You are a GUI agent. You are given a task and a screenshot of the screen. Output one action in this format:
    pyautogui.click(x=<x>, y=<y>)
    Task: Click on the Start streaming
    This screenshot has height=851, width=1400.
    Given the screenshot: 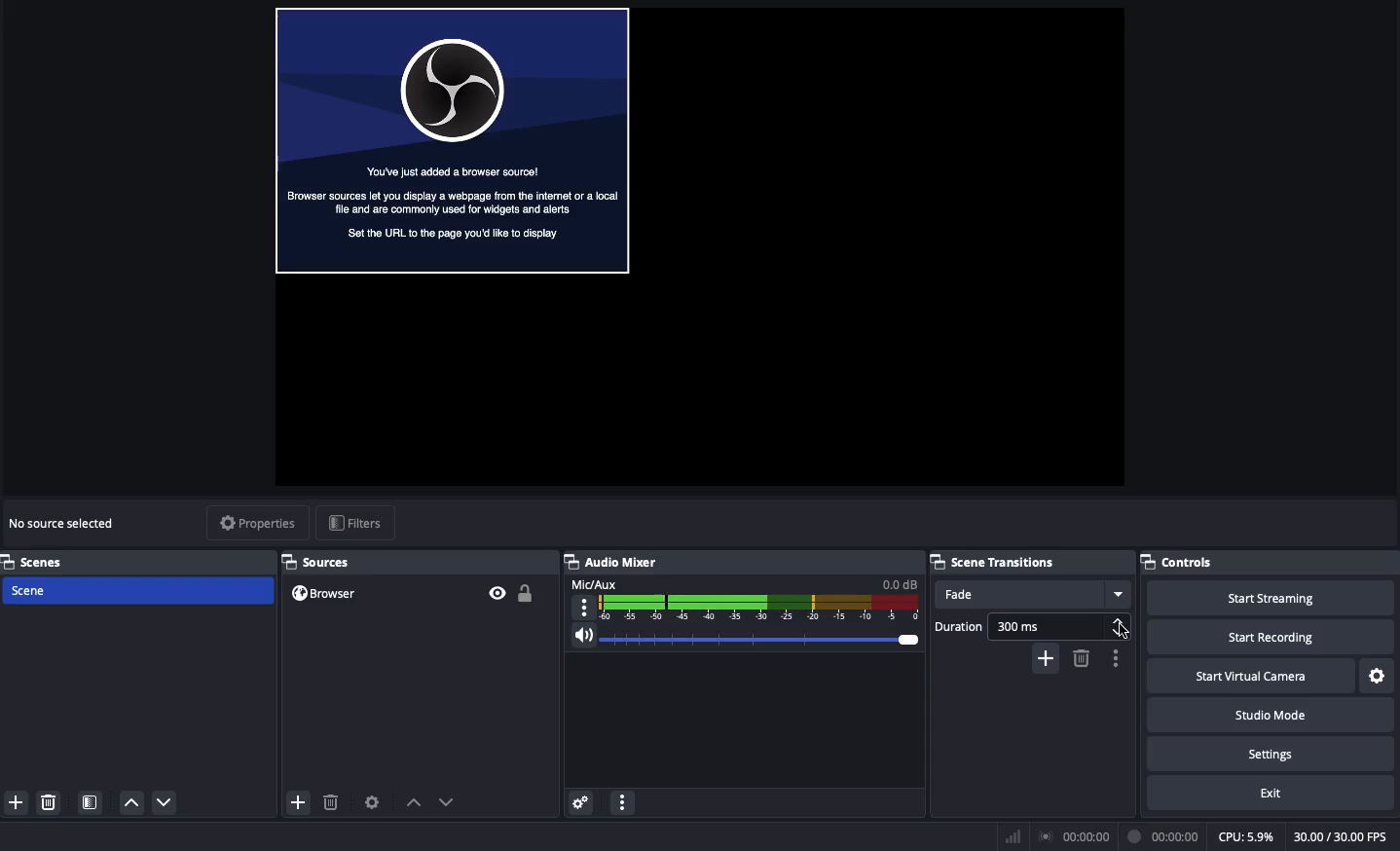 What is the action you would take?
    pyautogui.click(x=1266, y=597)
    